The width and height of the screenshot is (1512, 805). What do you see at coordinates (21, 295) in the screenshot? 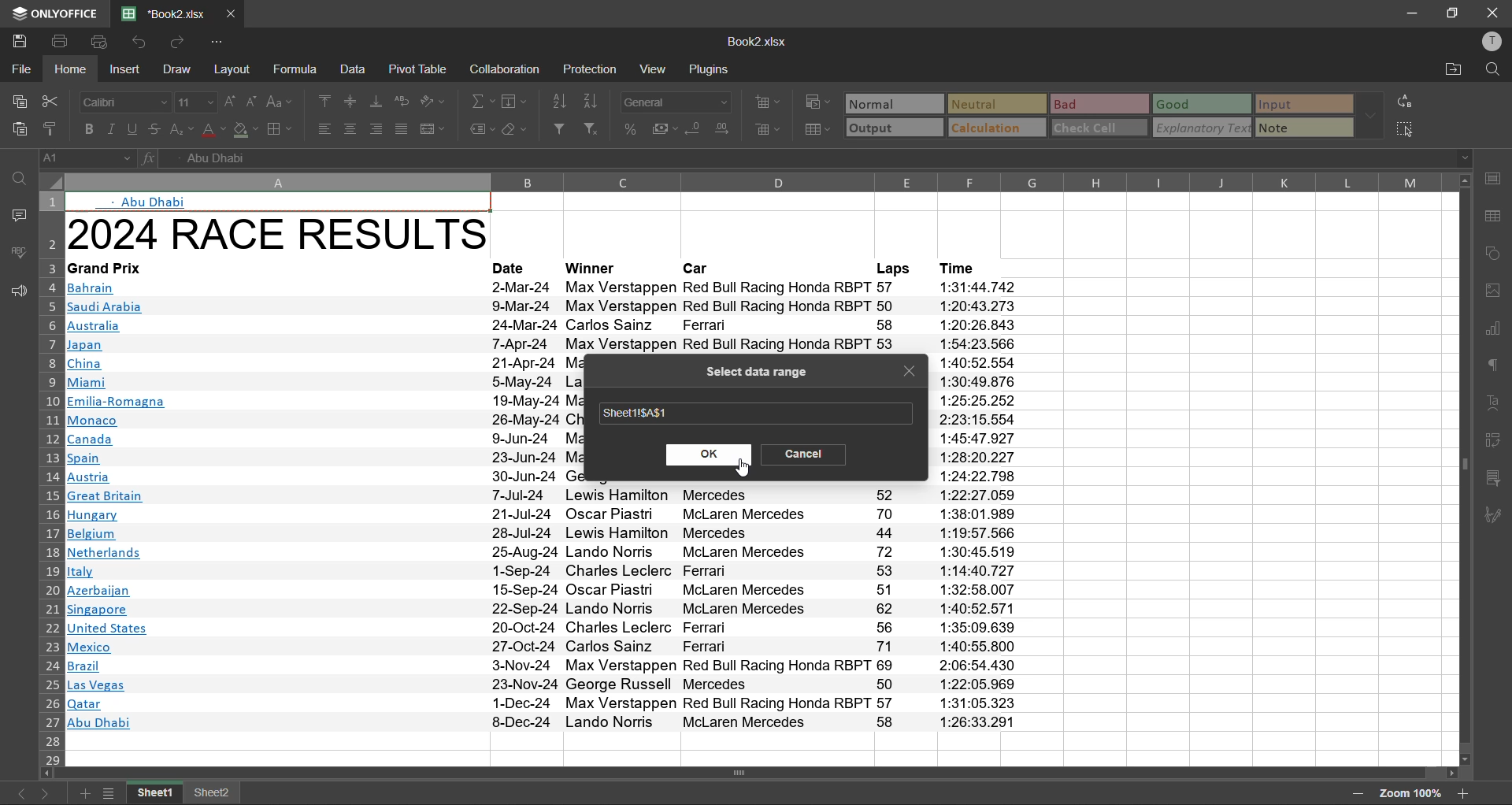
I see `feedback` at bounding box center [21, 295].